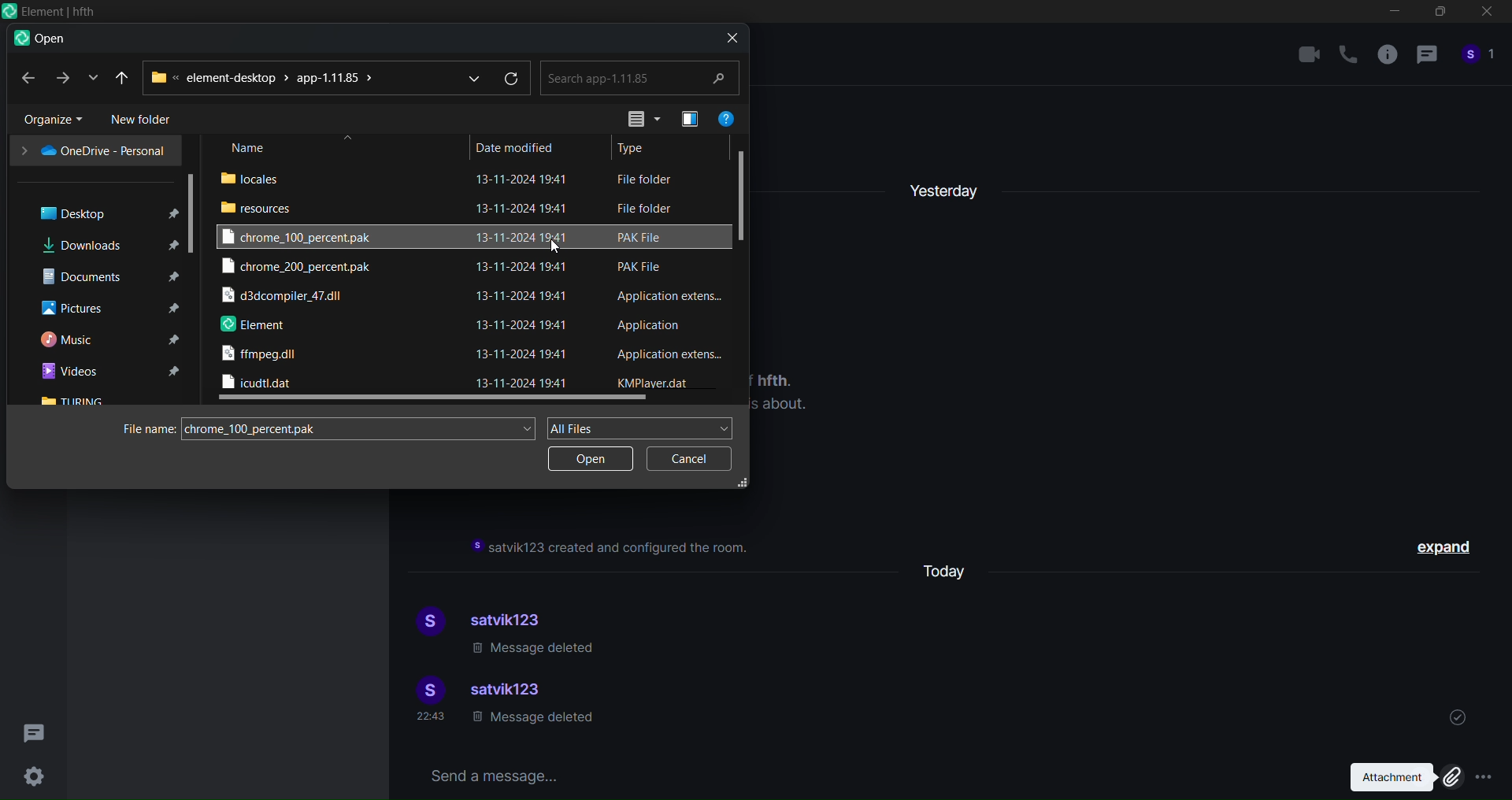 This screenshot has height=800, width=1512. What do you see at coordinates (591, 459) in the screenshot?
I see `open` at bounding box center [591, 459].